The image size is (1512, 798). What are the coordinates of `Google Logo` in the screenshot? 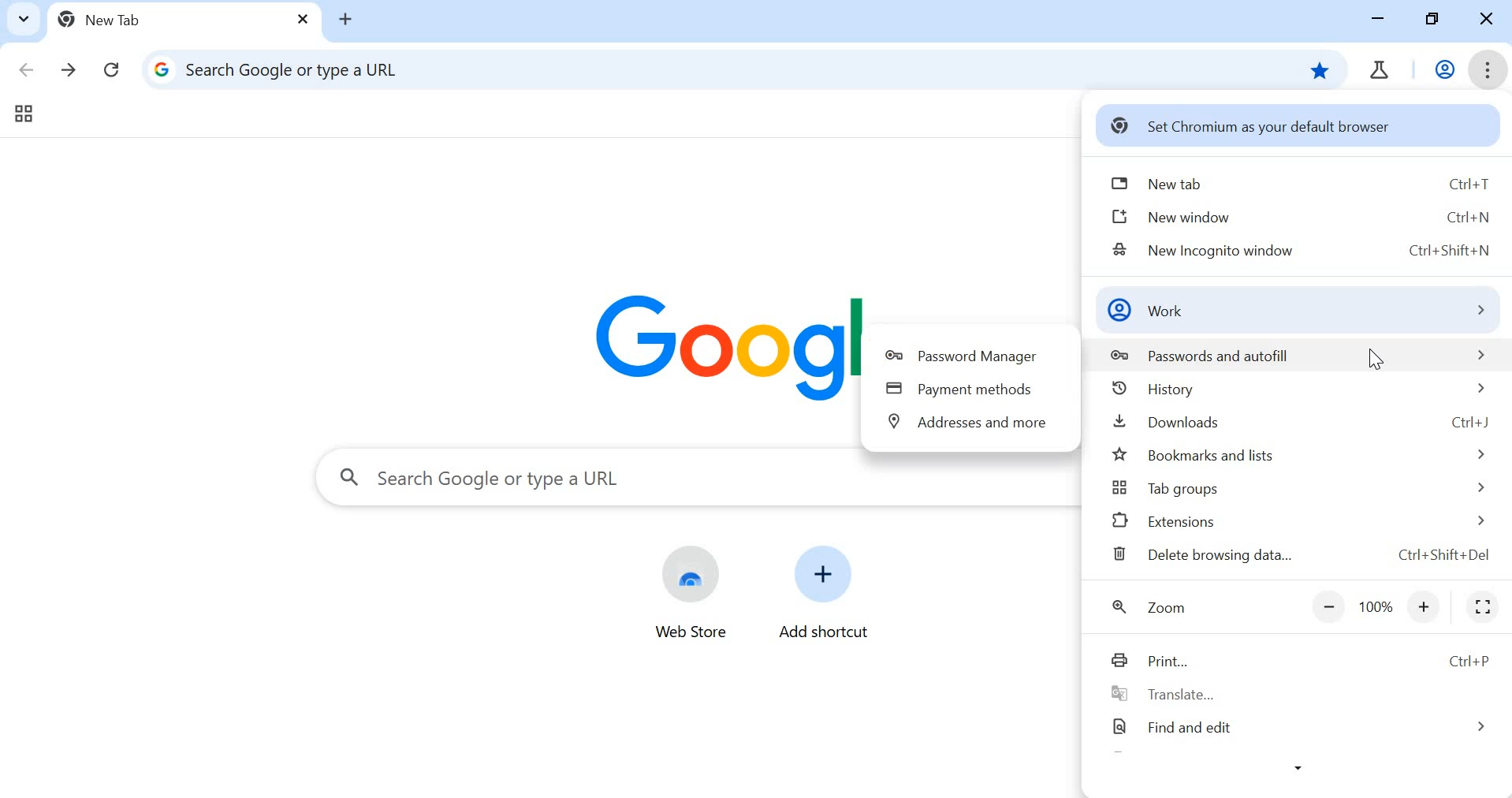 It's located at (713, 348).